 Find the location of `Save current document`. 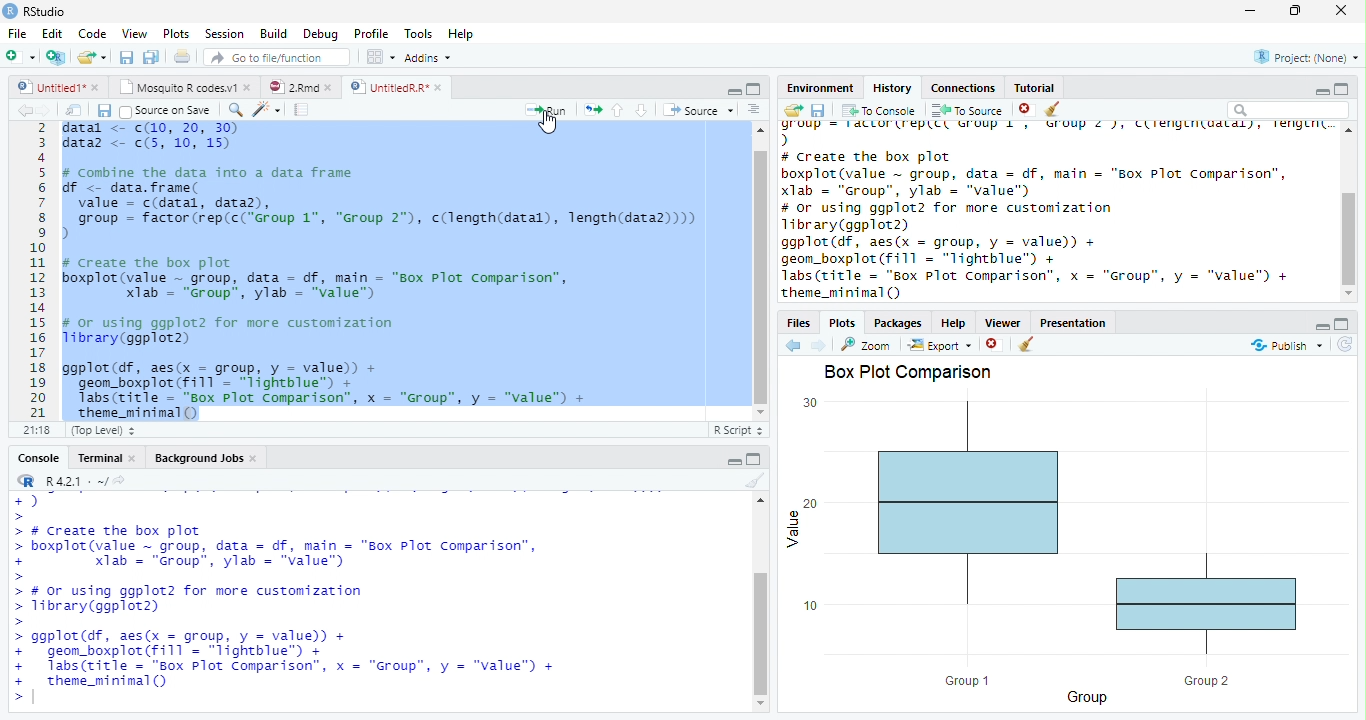

Save current document is located at coordinates (103, 110).